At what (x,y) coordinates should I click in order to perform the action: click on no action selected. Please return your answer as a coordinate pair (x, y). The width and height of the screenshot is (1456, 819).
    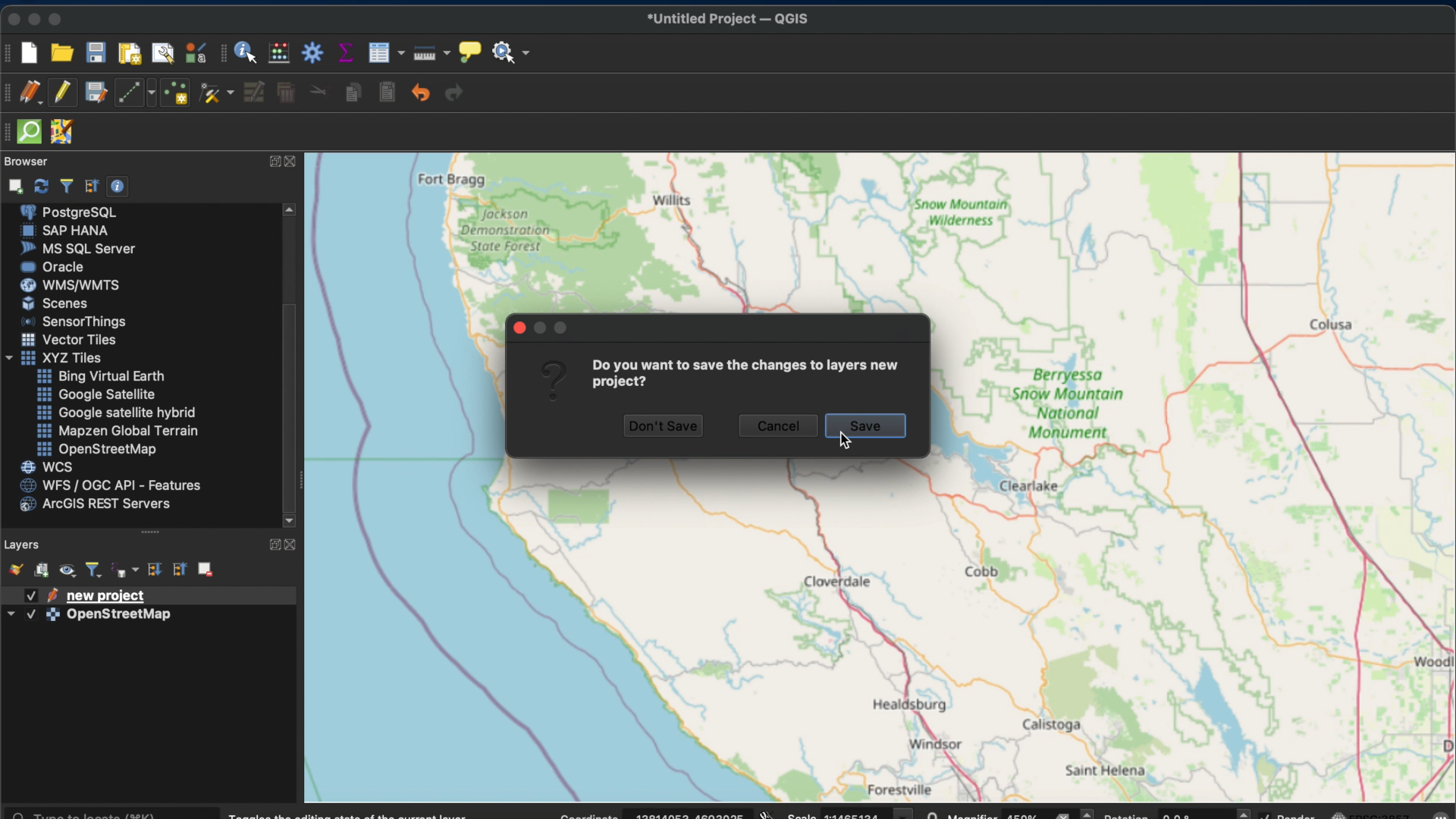
    Looking at the image, I should click on (512, 52).